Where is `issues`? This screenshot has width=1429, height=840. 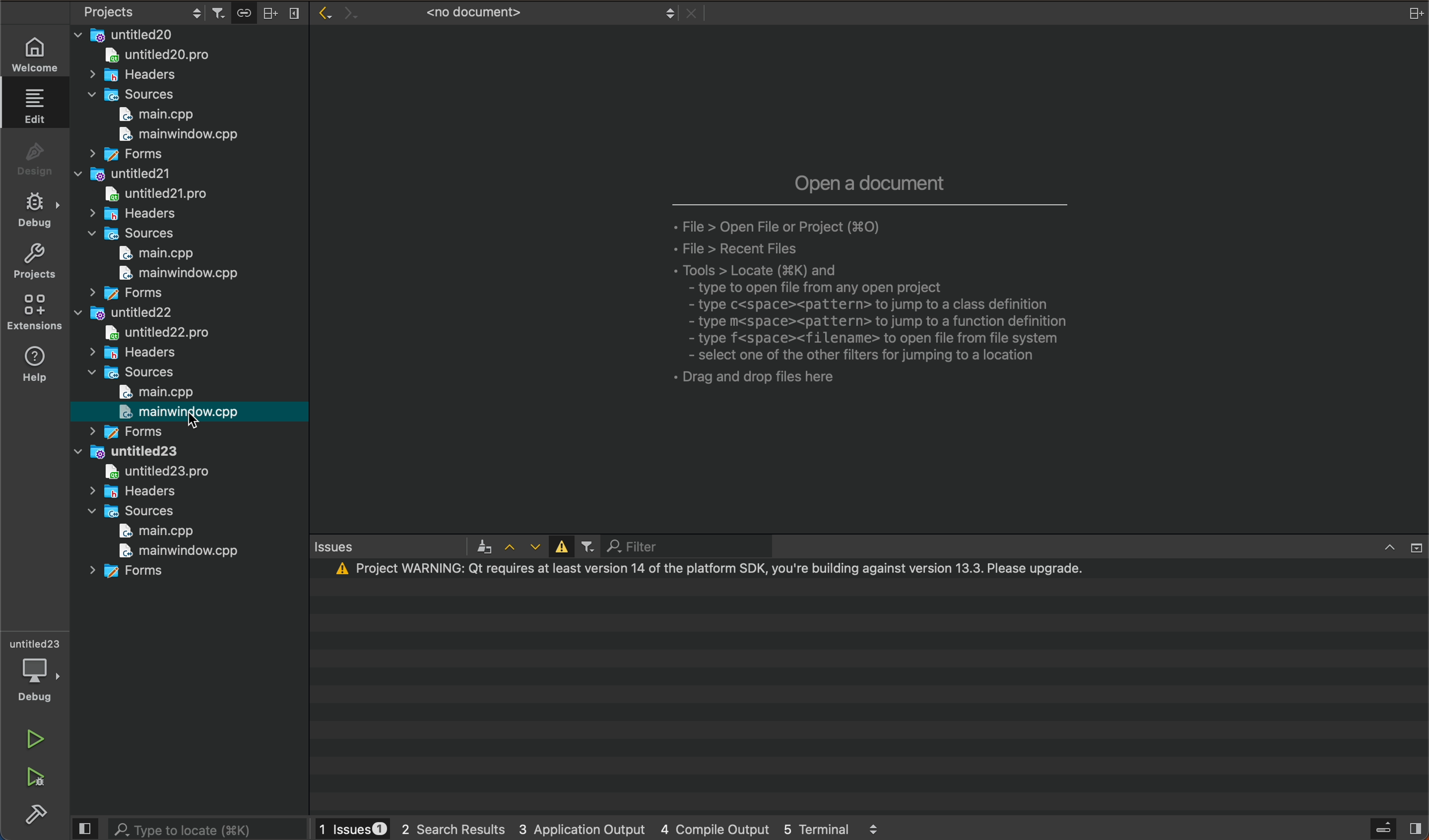
issues is located at coordinates (397, 549).